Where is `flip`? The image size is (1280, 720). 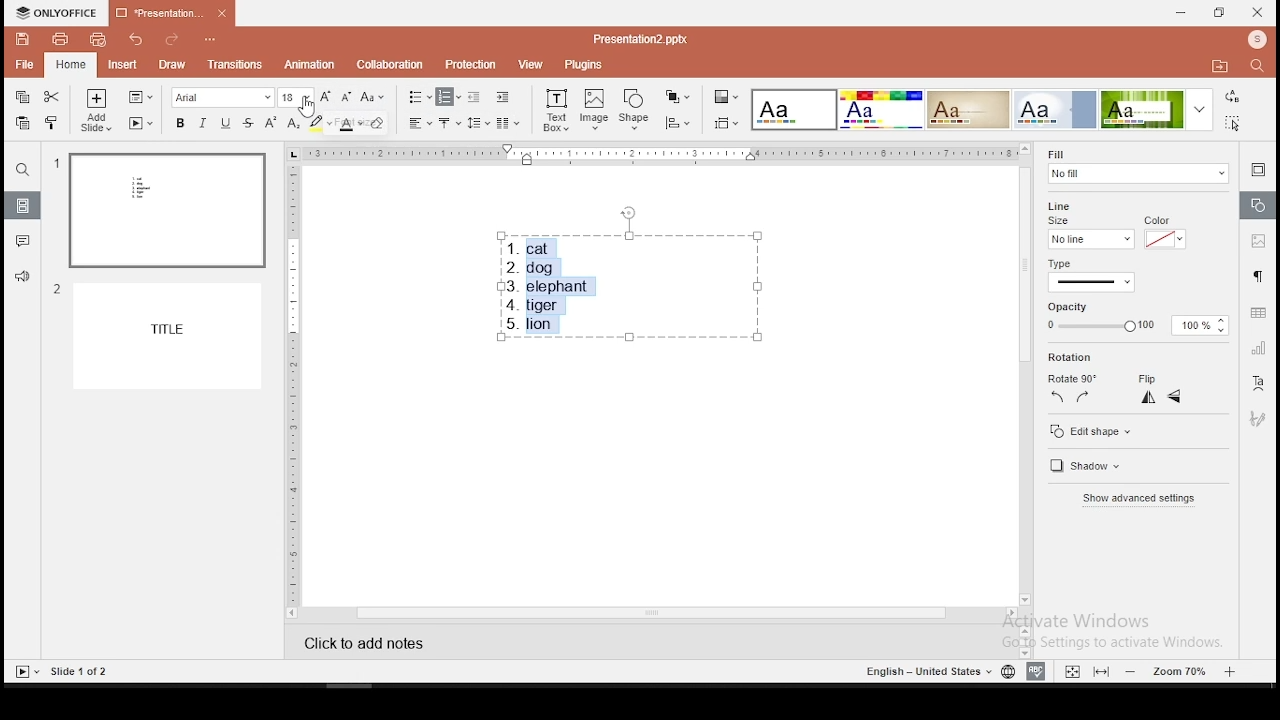 flip is located at coordinates (1144, 379).